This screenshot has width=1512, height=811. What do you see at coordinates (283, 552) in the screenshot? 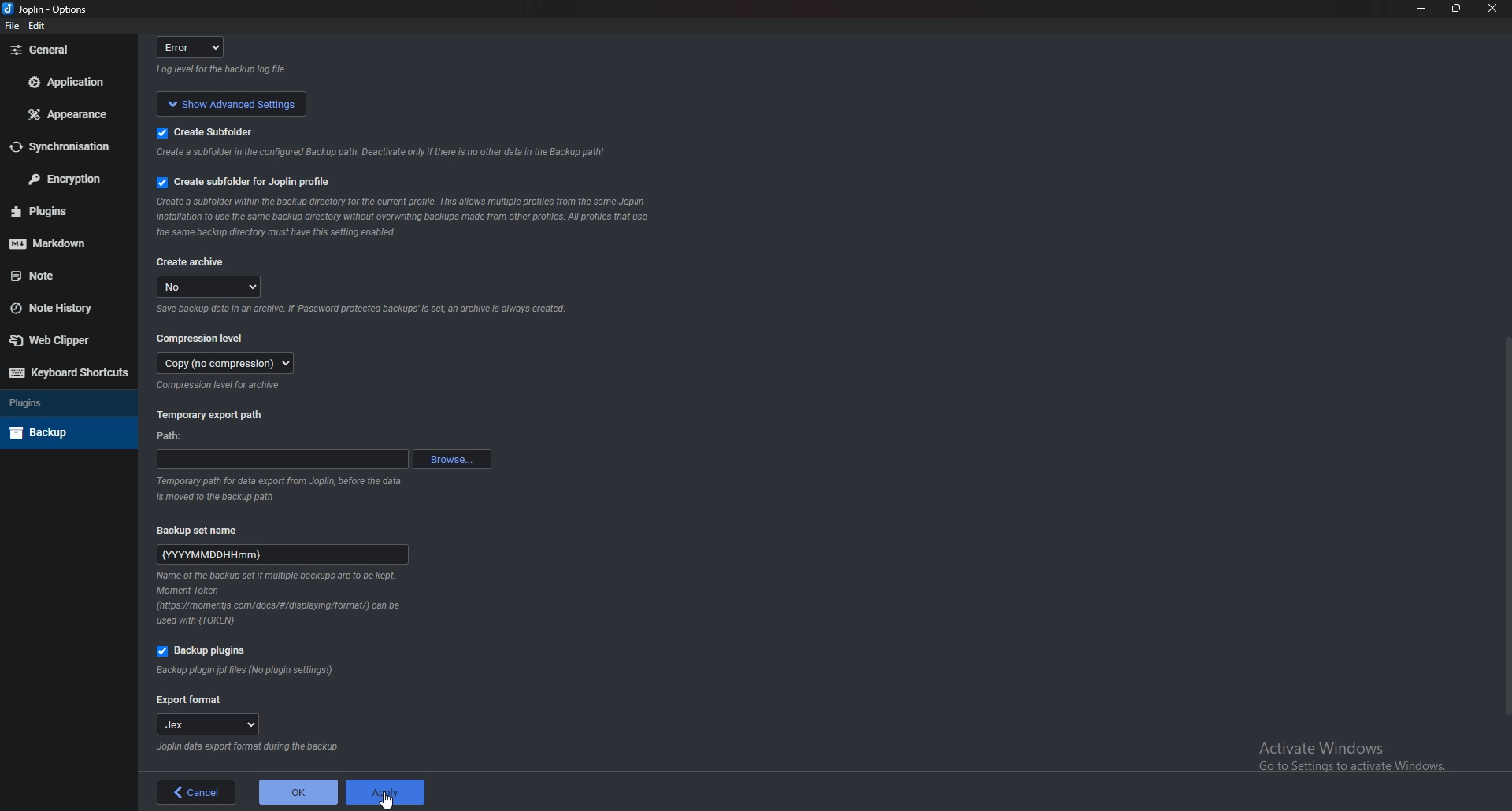
I see `name` at bounding box center [283, 552].